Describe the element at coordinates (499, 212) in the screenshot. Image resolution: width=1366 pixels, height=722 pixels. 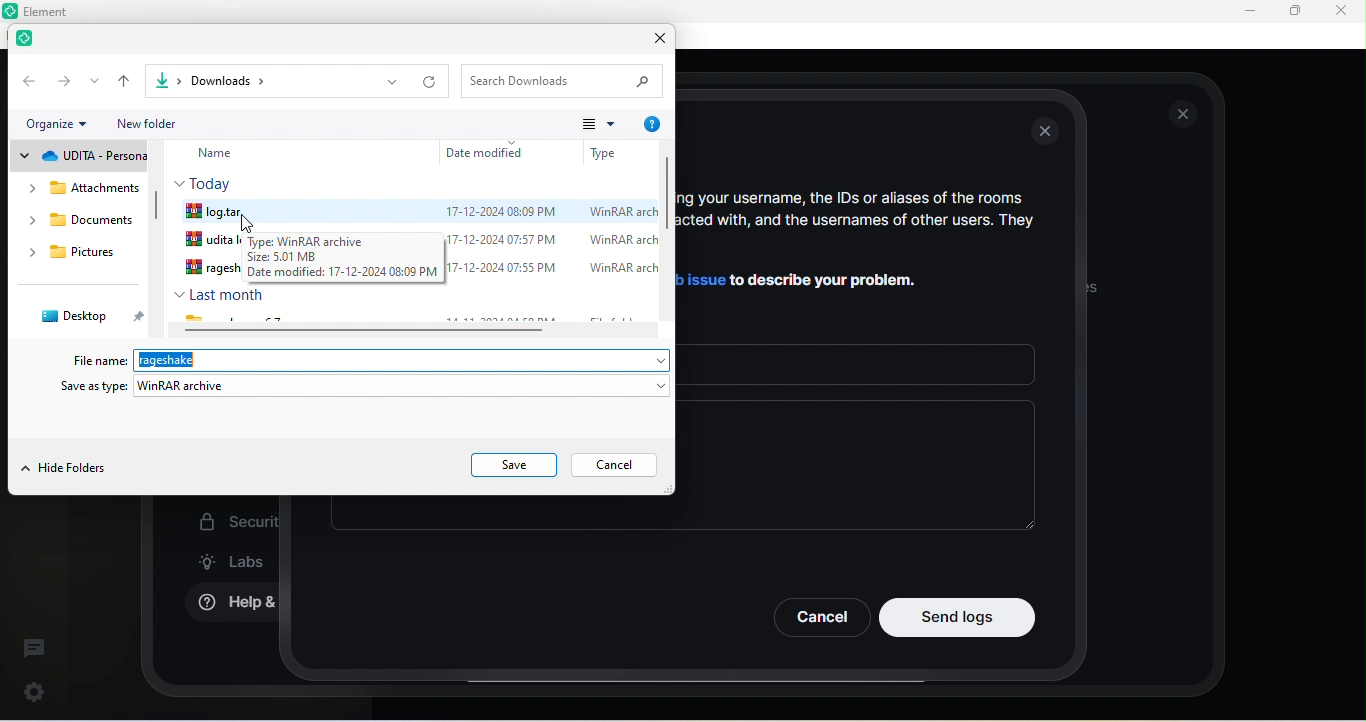
I see `17-12-2024 08:09 PM` at that location.